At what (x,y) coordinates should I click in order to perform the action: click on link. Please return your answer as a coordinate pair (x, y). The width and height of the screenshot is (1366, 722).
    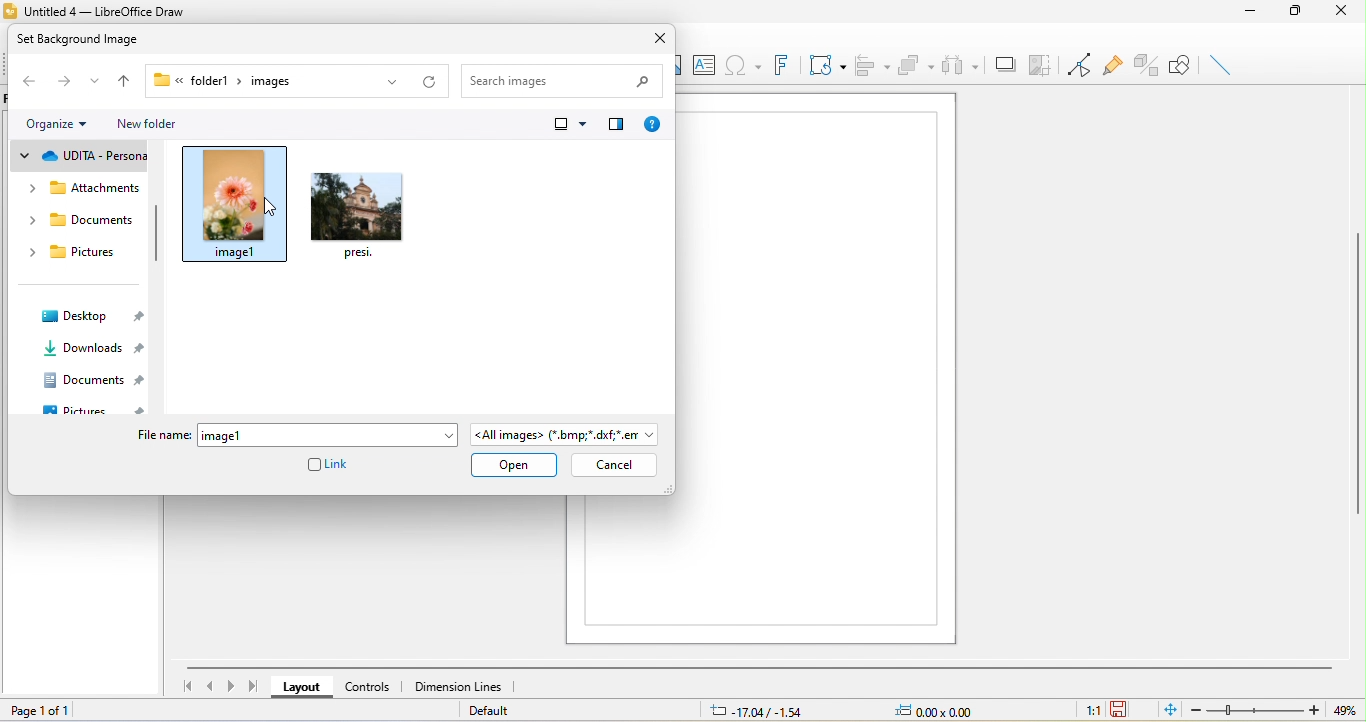
    Looking at the image, I should click on (330, 466).